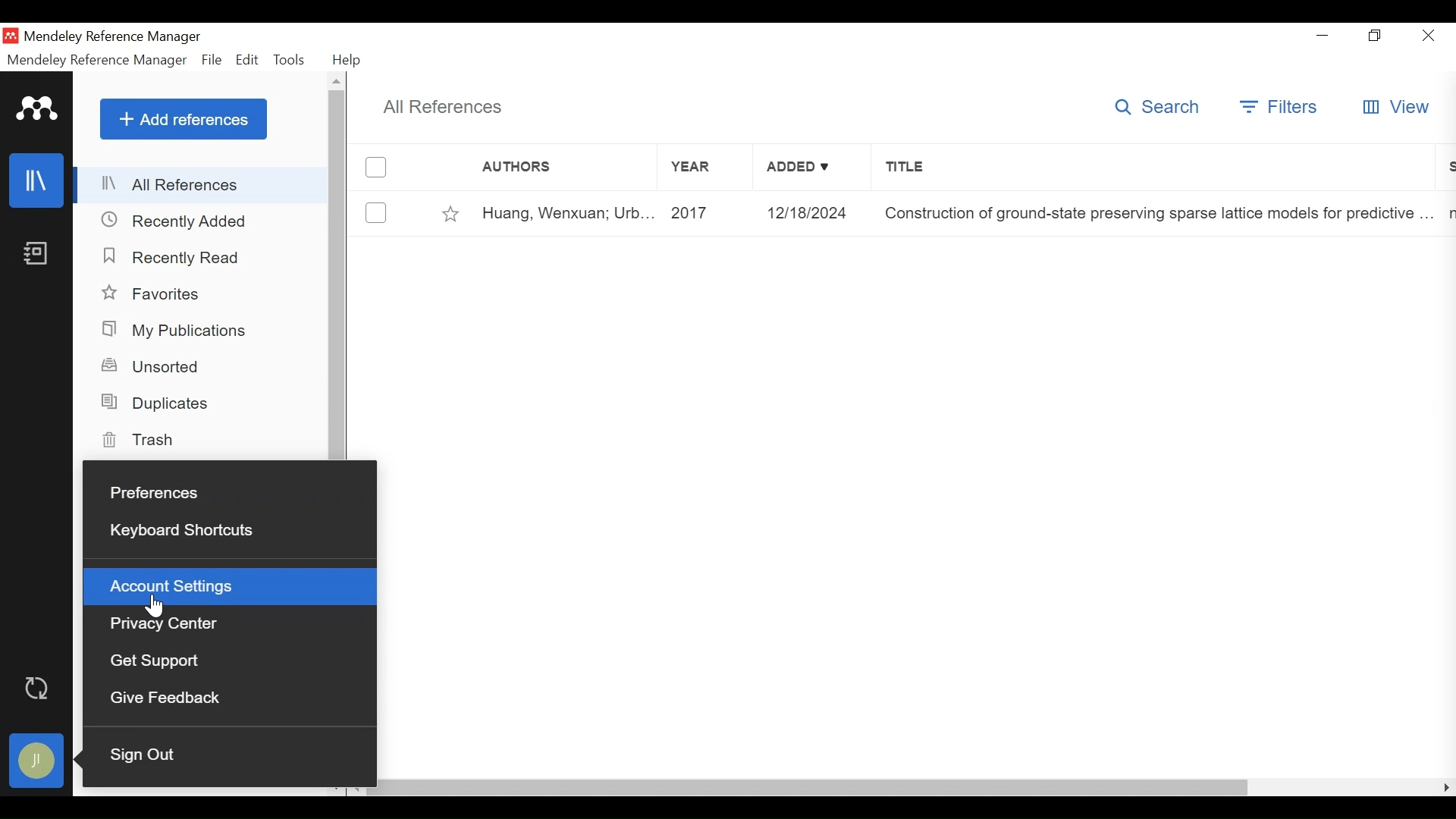 Image resolution: width=1456 pixels, height=819 pixels. Describe the element at coordinates (177, 222) in the screenshot. I see `Recently Added` at that location.